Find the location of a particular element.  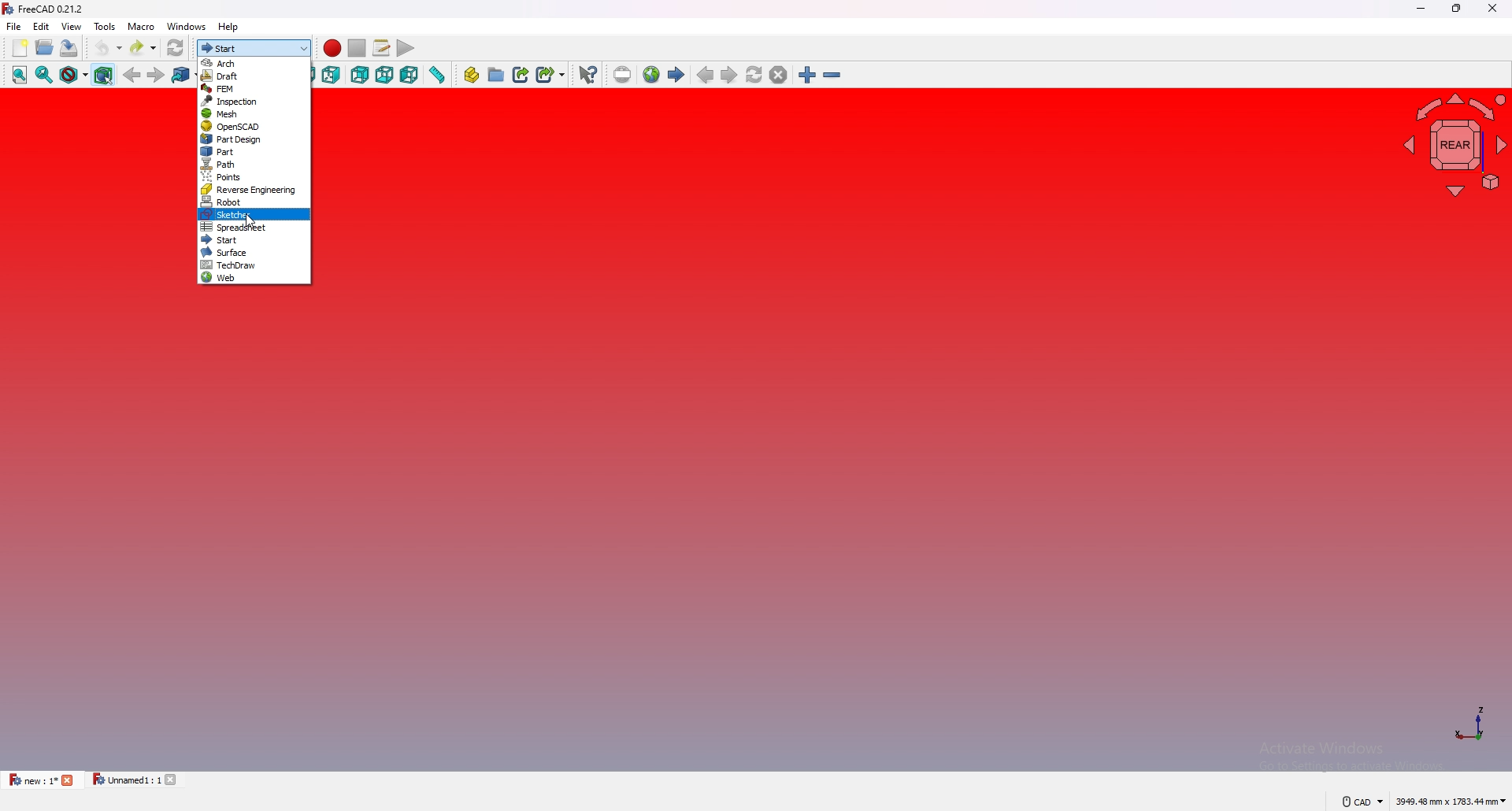

spreadsheet is located at coordinates (254, 226).